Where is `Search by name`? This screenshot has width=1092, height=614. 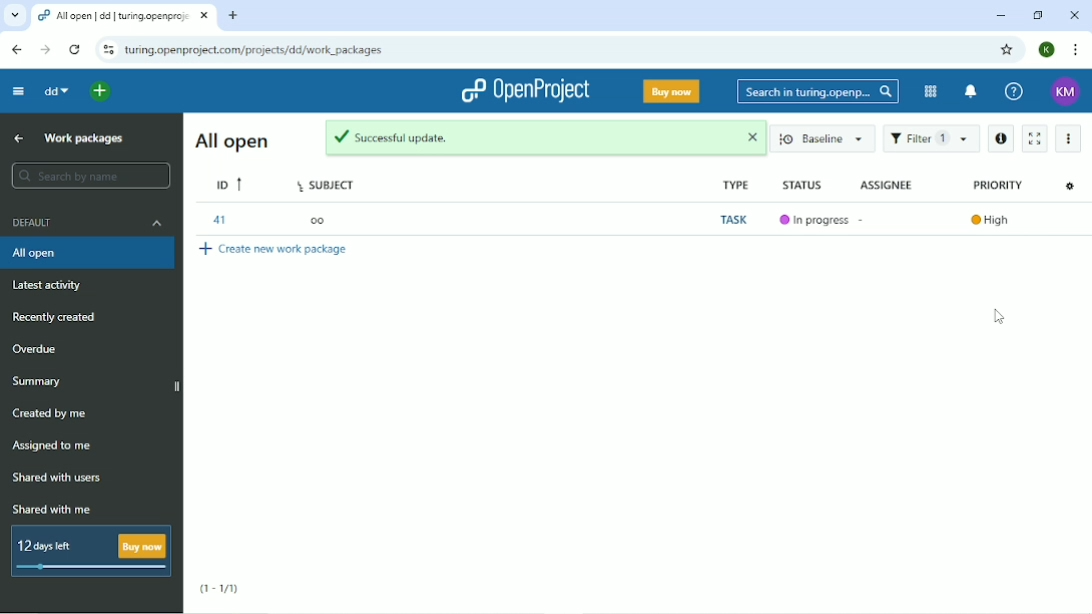 Search by name is located at coordinates (91, 176).